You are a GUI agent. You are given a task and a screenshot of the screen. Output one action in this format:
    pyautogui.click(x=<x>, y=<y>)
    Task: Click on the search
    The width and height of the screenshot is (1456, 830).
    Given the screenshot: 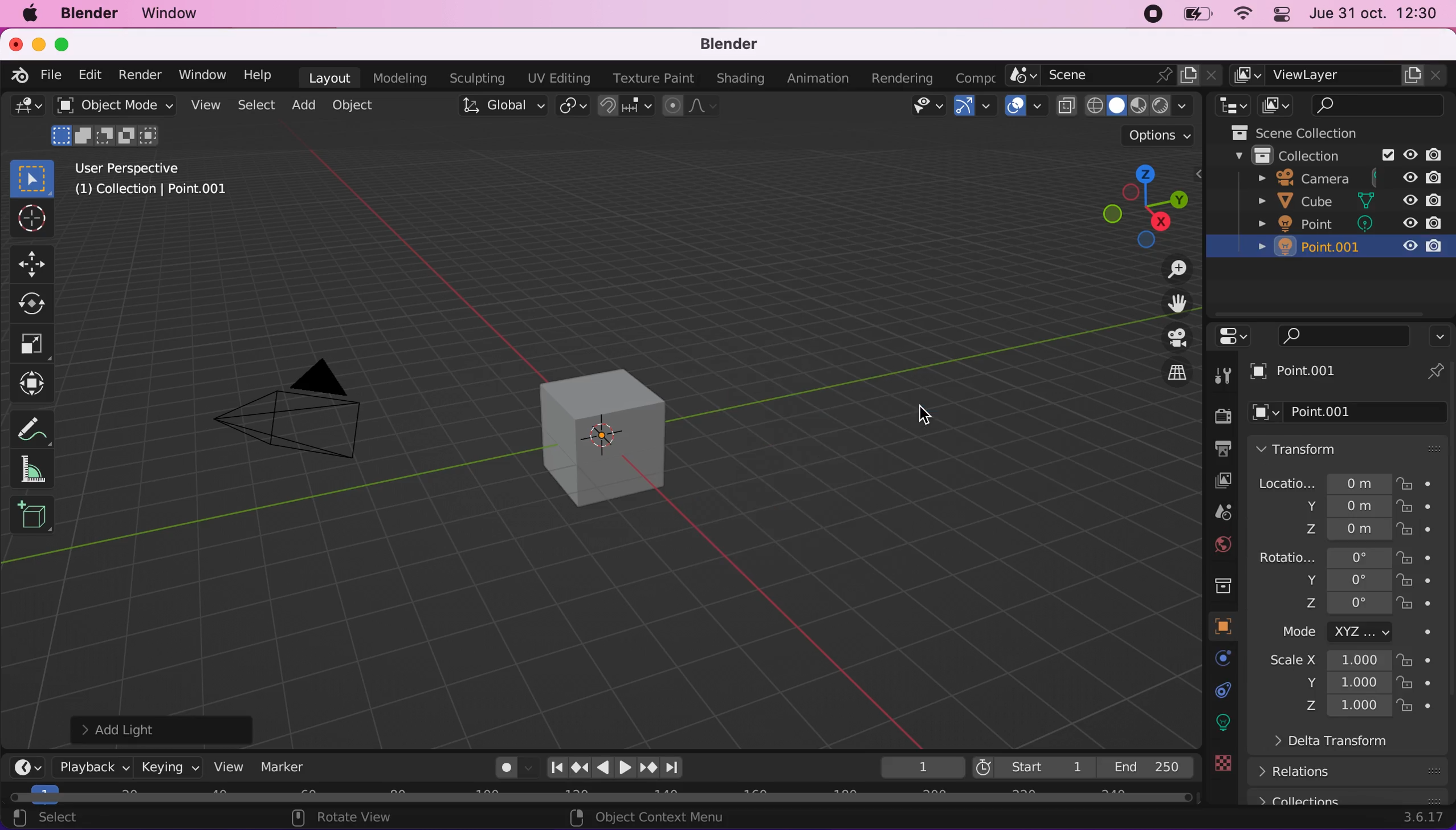 What is the action you would take?
    pyautogui.click(x=1379, y=105)
    